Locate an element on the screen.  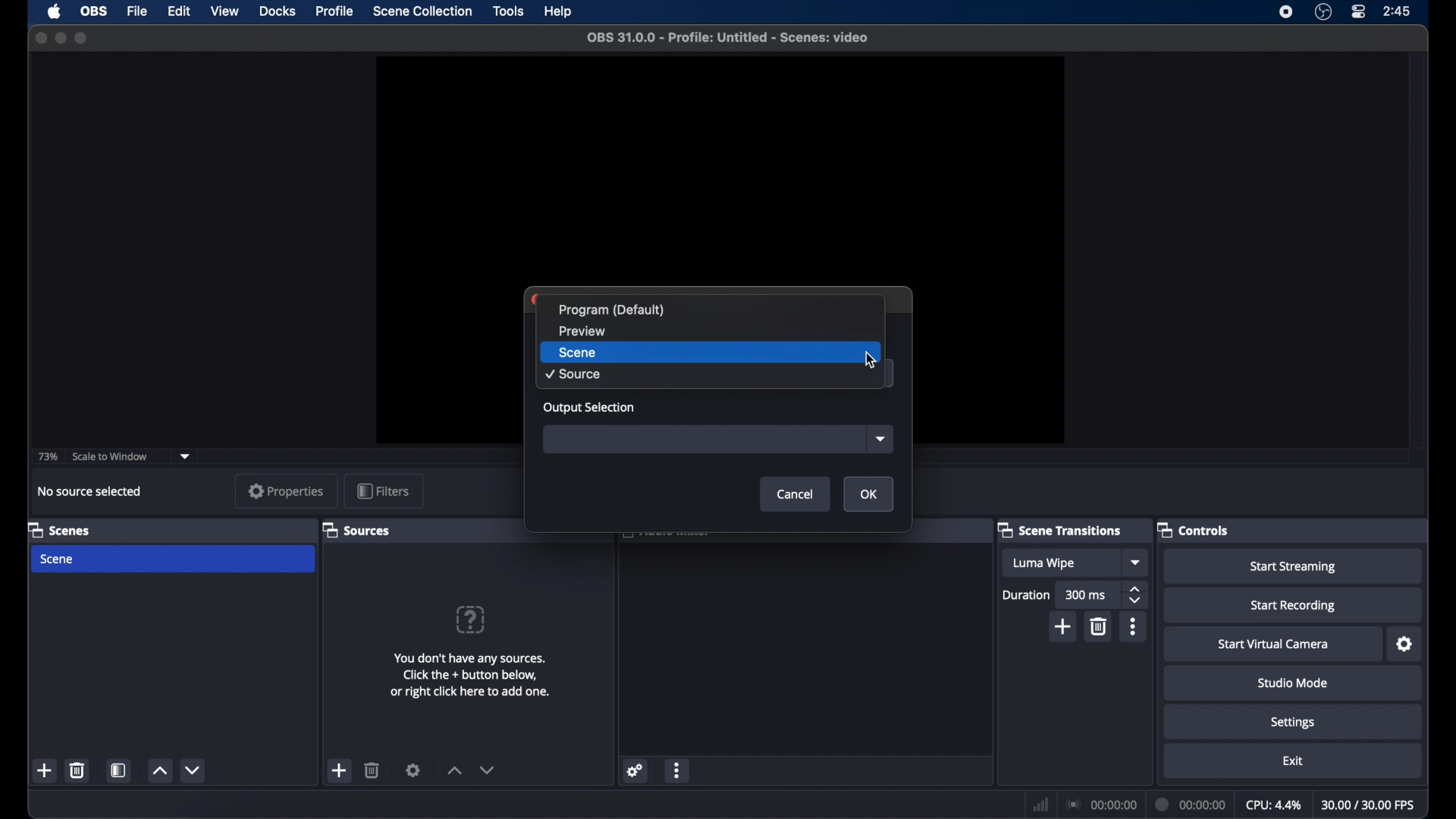
scenes is located at coordinates (58, 529).